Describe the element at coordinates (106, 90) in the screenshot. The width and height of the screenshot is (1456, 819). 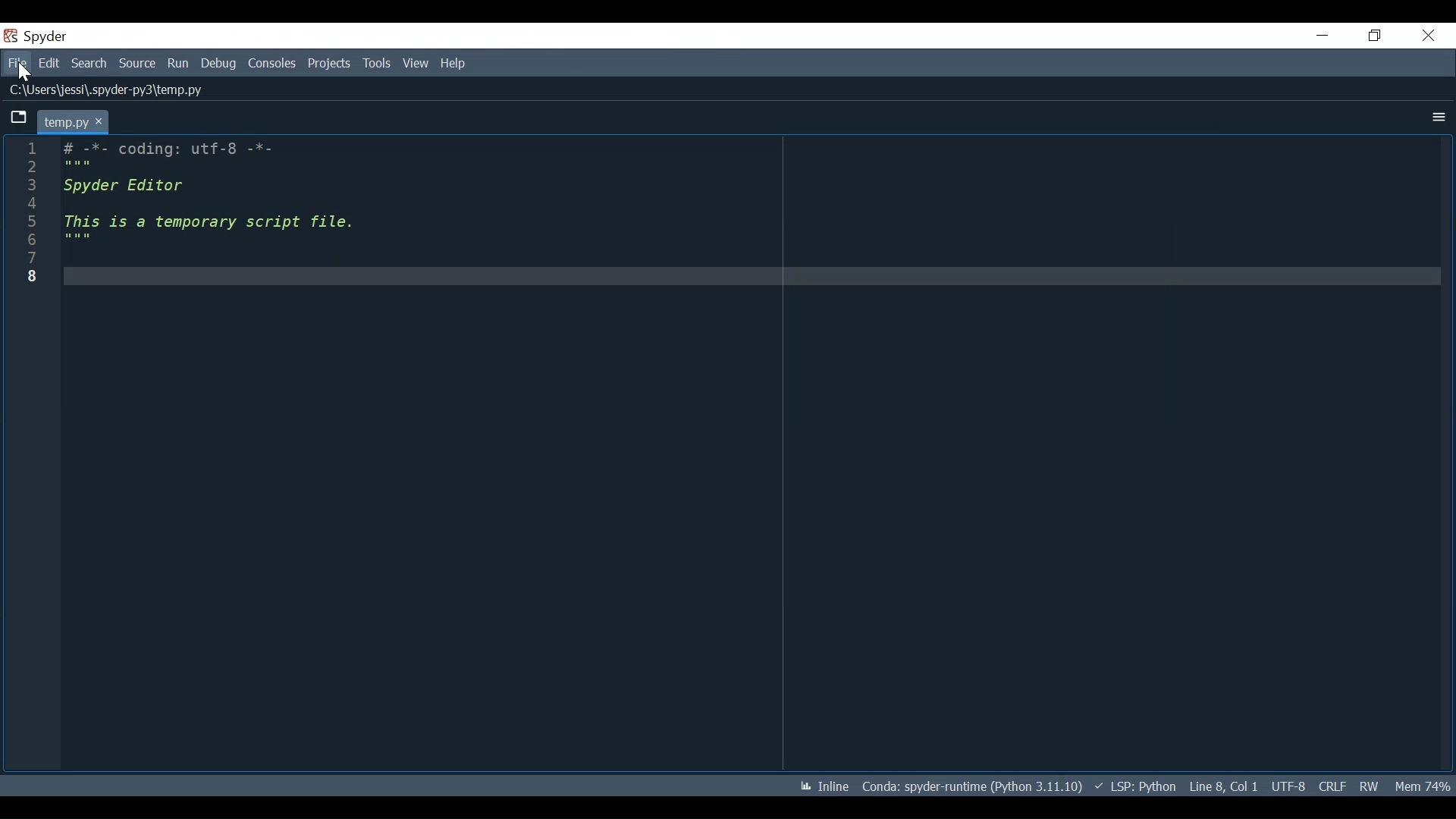
I see `C:\User\jessi\.spyder-py3\temp.py` at that location.